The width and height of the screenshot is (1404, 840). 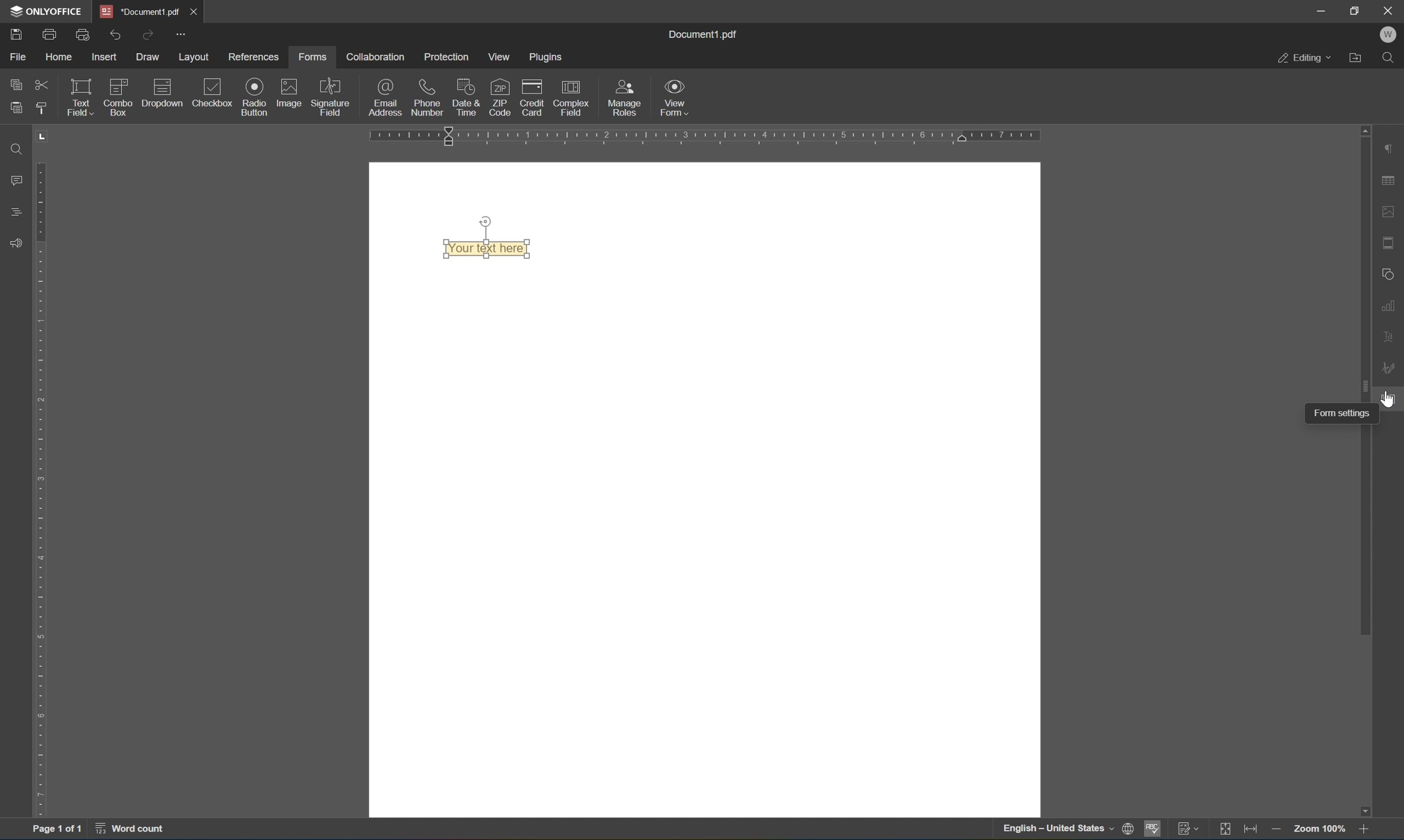 I want to click on text box, so click(x=490, y=247).